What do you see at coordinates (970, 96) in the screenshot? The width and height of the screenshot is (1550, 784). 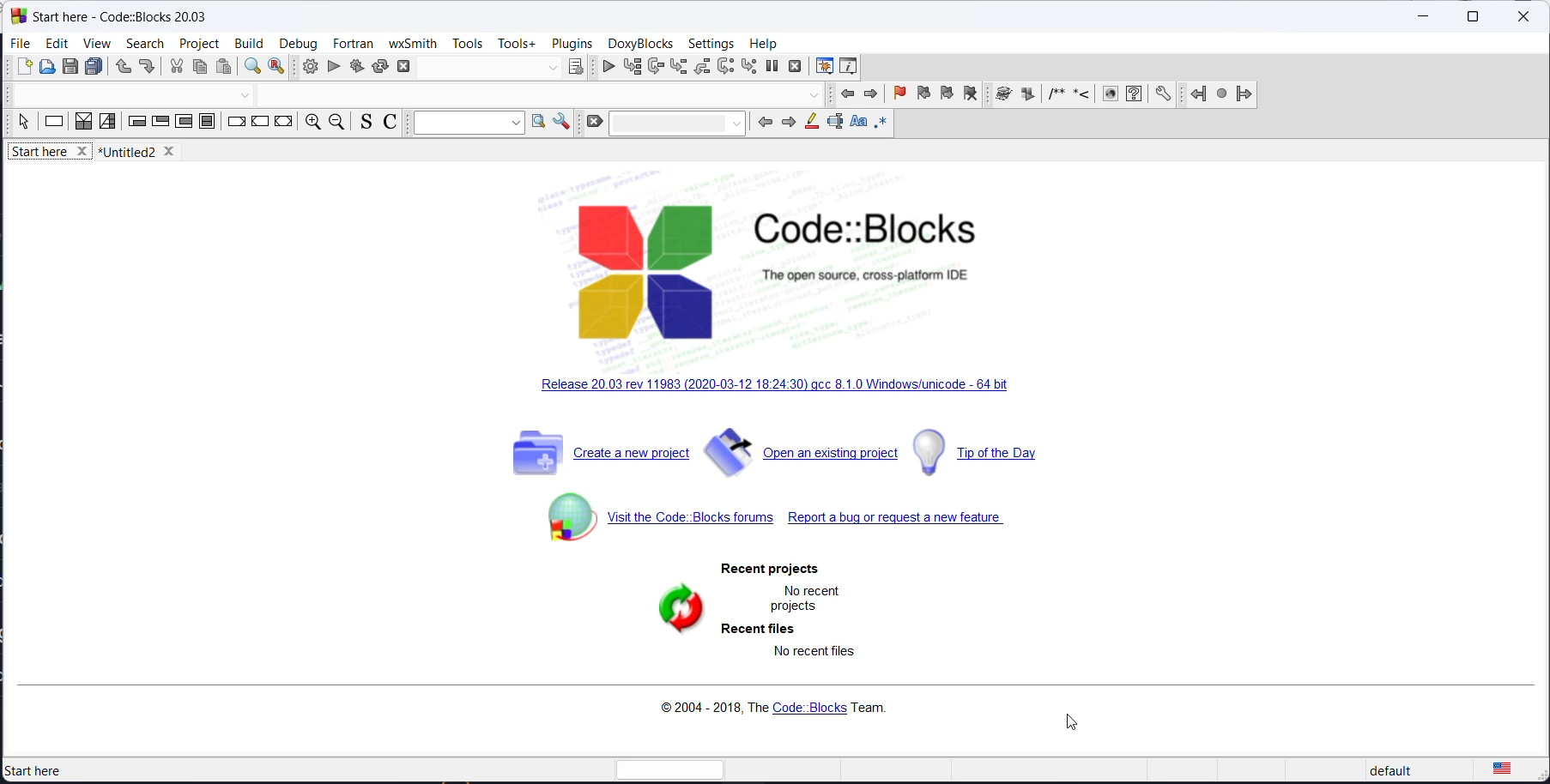 I see `remove bookmark` at bounding box center [970, 96].